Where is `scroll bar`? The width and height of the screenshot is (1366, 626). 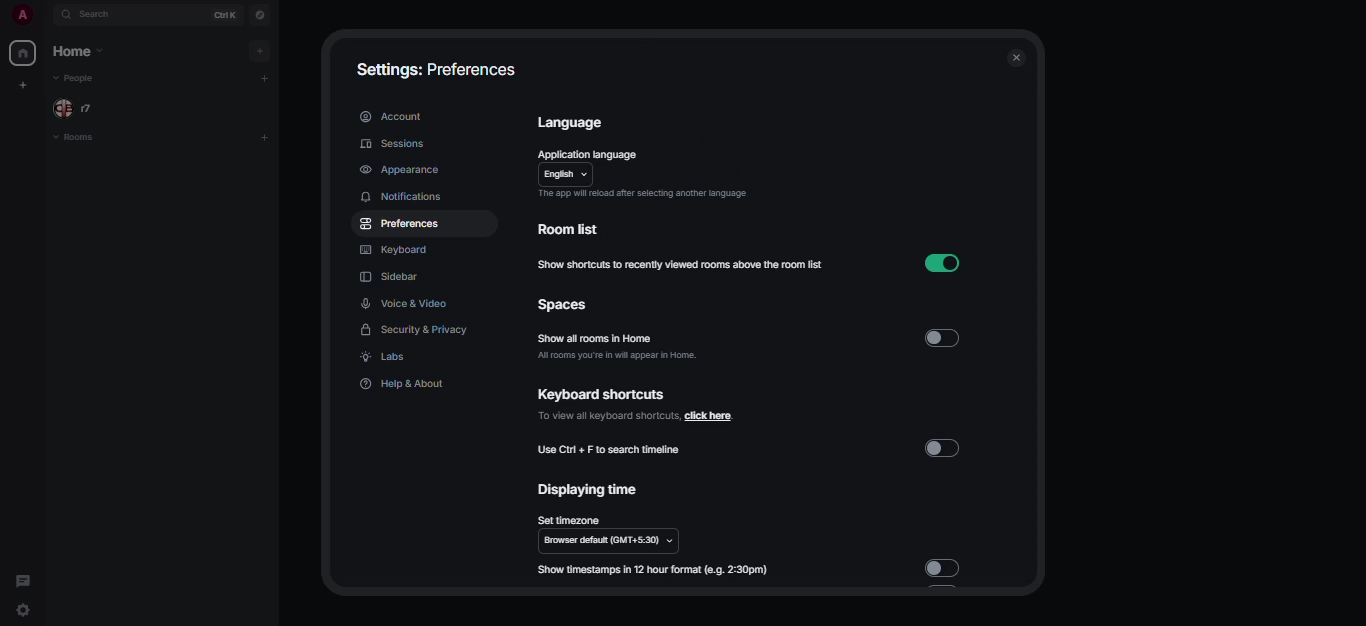
scroll bar is located at coordinates (1030, 173).